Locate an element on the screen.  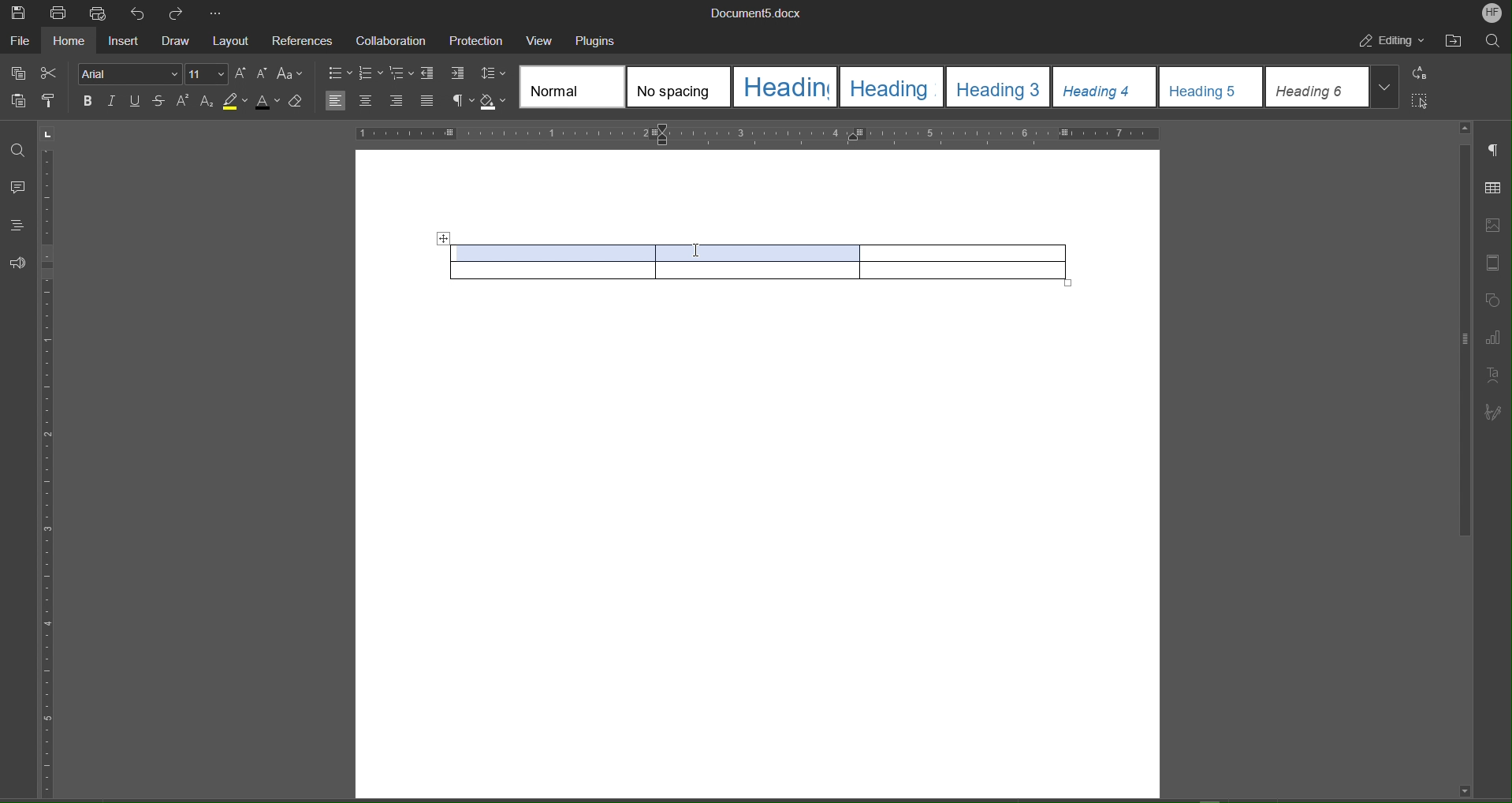
View is located at coordinates (543, 40).